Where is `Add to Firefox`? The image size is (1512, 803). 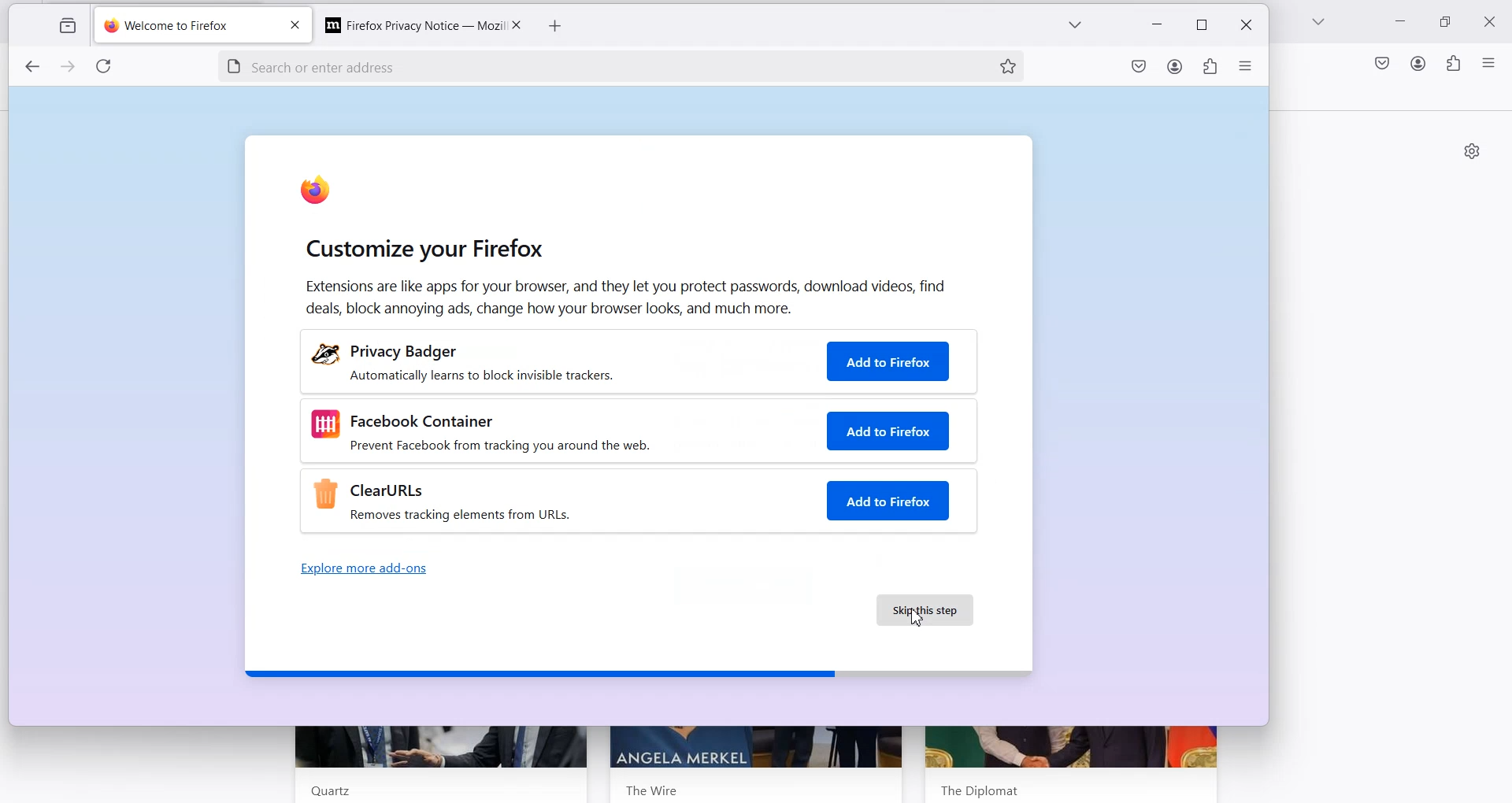
Add to Firefox is located at coordinates (888, 431).